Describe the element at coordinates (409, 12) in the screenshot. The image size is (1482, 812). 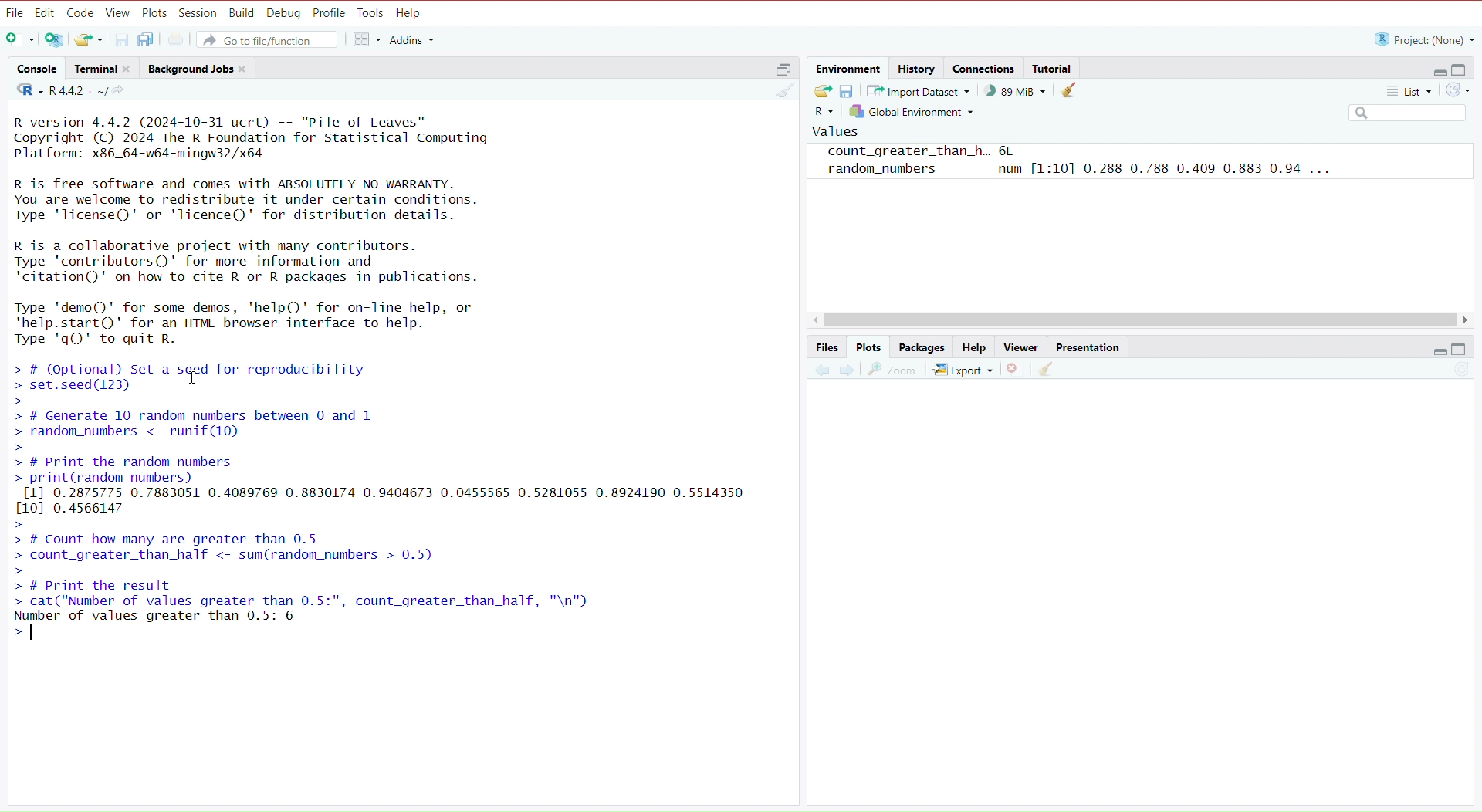
I see `Help` at that location.